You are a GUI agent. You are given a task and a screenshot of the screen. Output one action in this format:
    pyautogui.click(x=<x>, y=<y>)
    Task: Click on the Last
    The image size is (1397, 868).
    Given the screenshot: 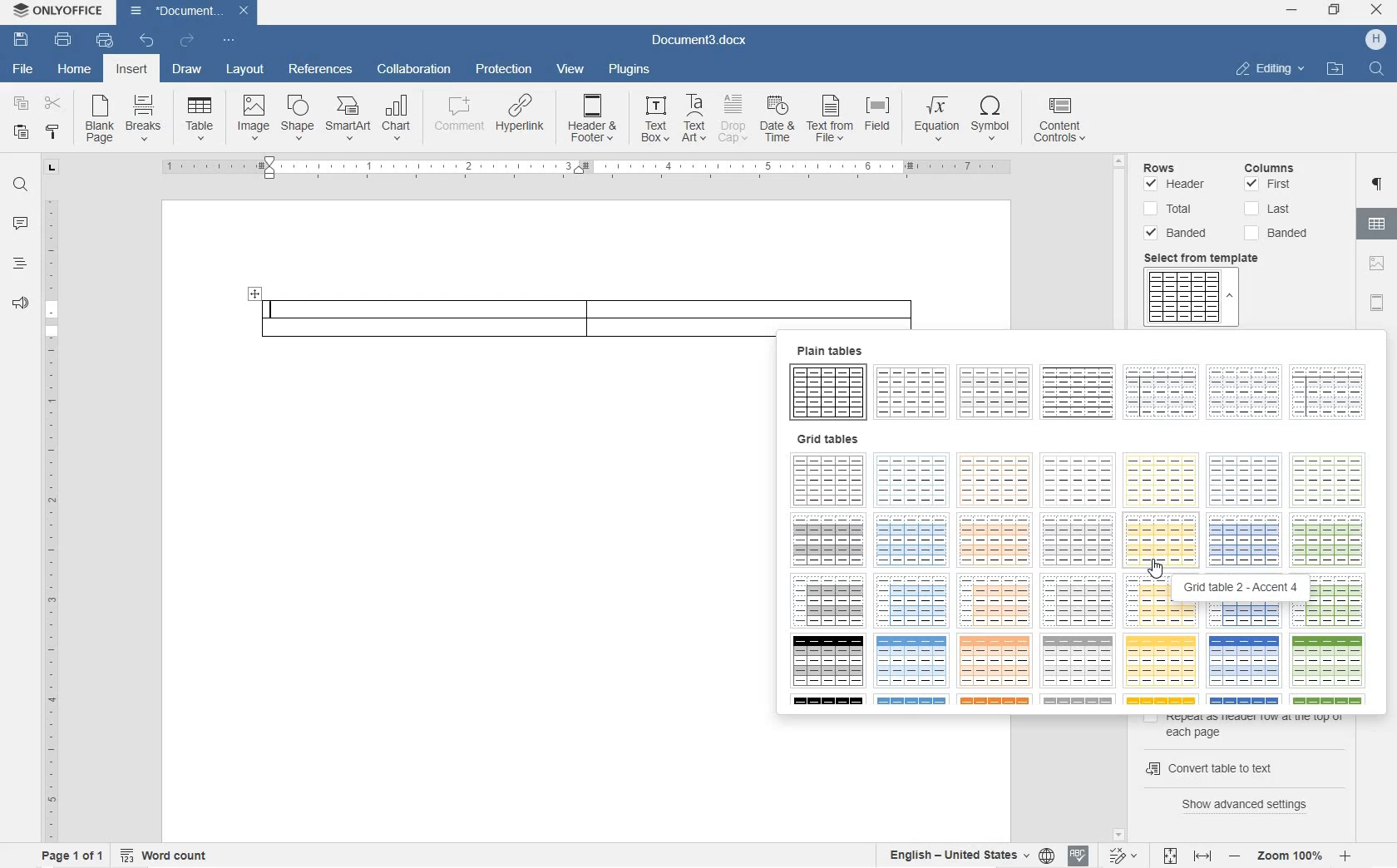 What is the action you would take?
    pyautogui.click(x=1267, y=209)
    